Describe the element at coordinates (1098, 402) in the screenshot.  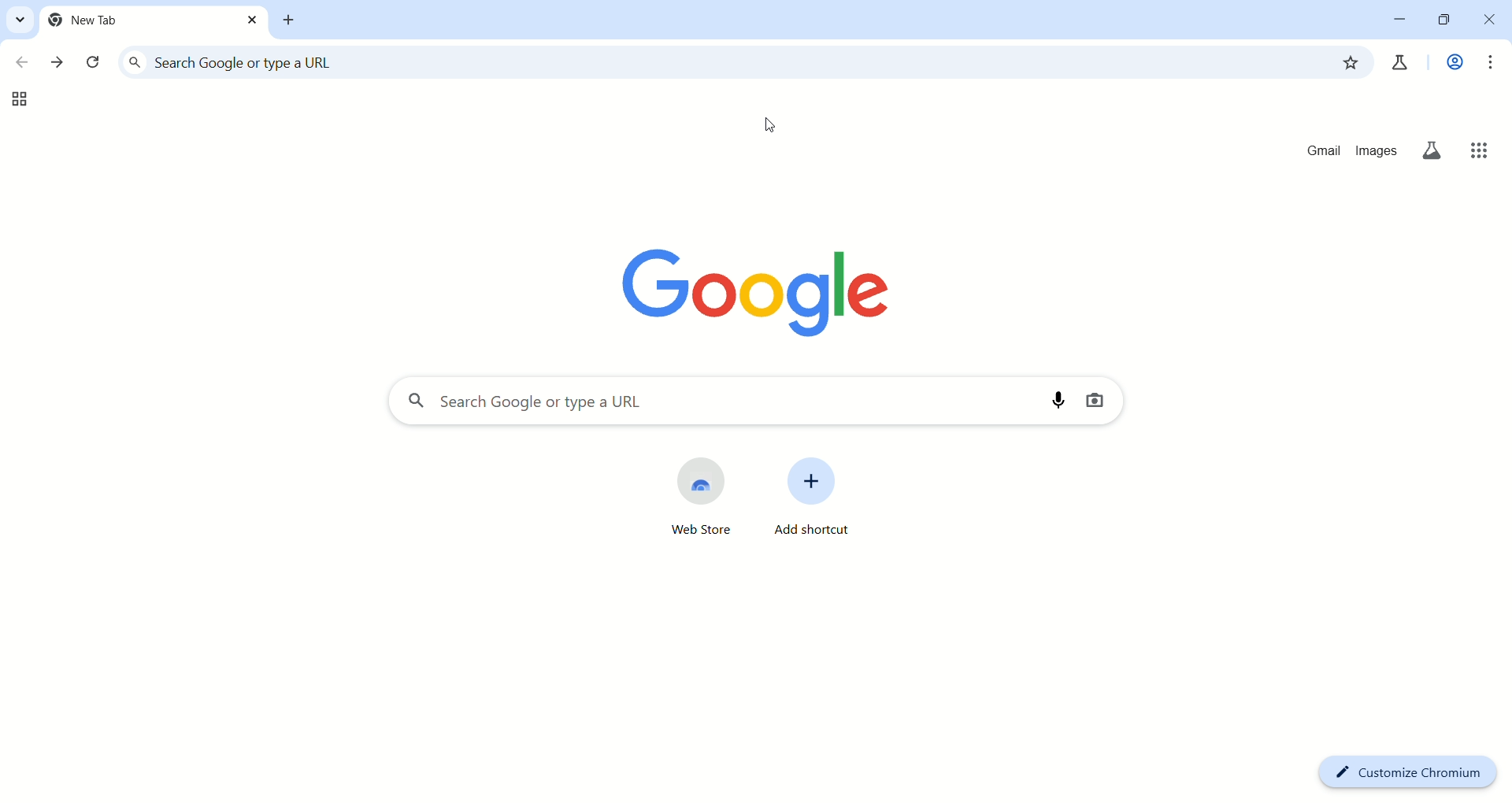
I see `search by image` at that location.